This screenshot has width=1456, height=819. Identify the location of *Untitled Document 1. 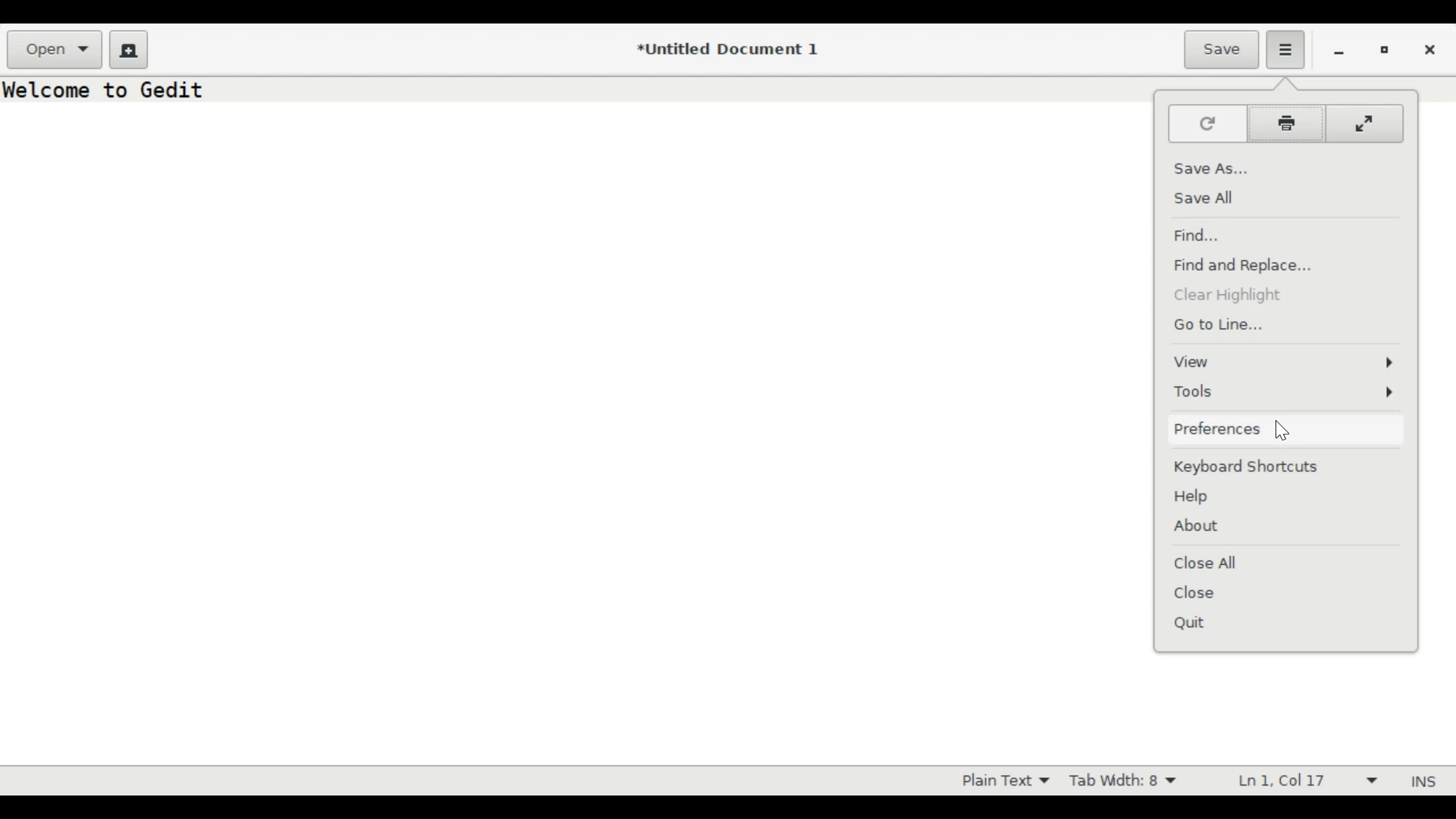
(730, 50).